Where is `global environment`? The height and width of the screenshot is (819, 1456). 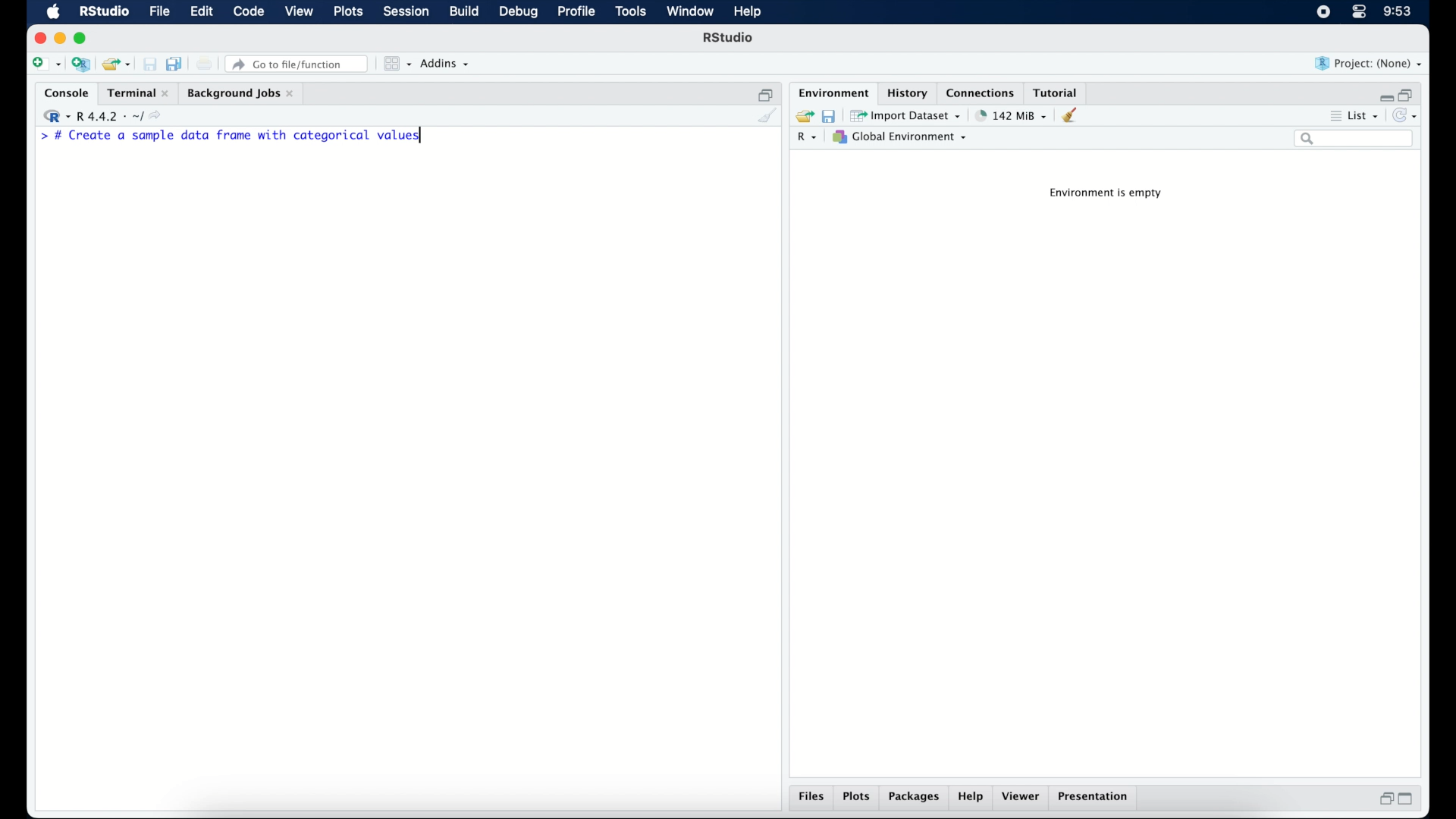 global environment is located at coordinates (905, 137).